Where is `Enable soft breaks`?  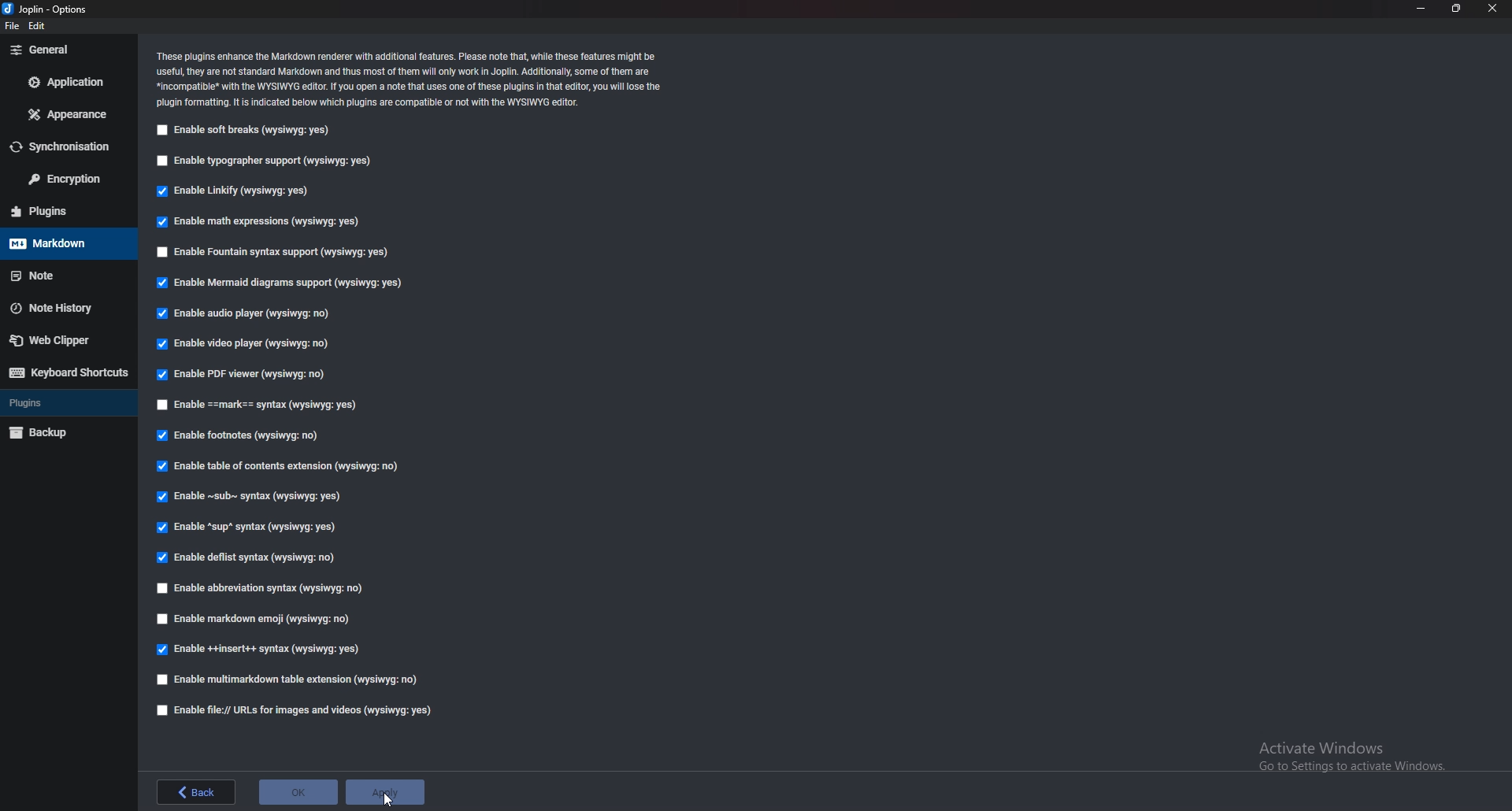
Enable soft breaks is located at coordinates (245, 131).